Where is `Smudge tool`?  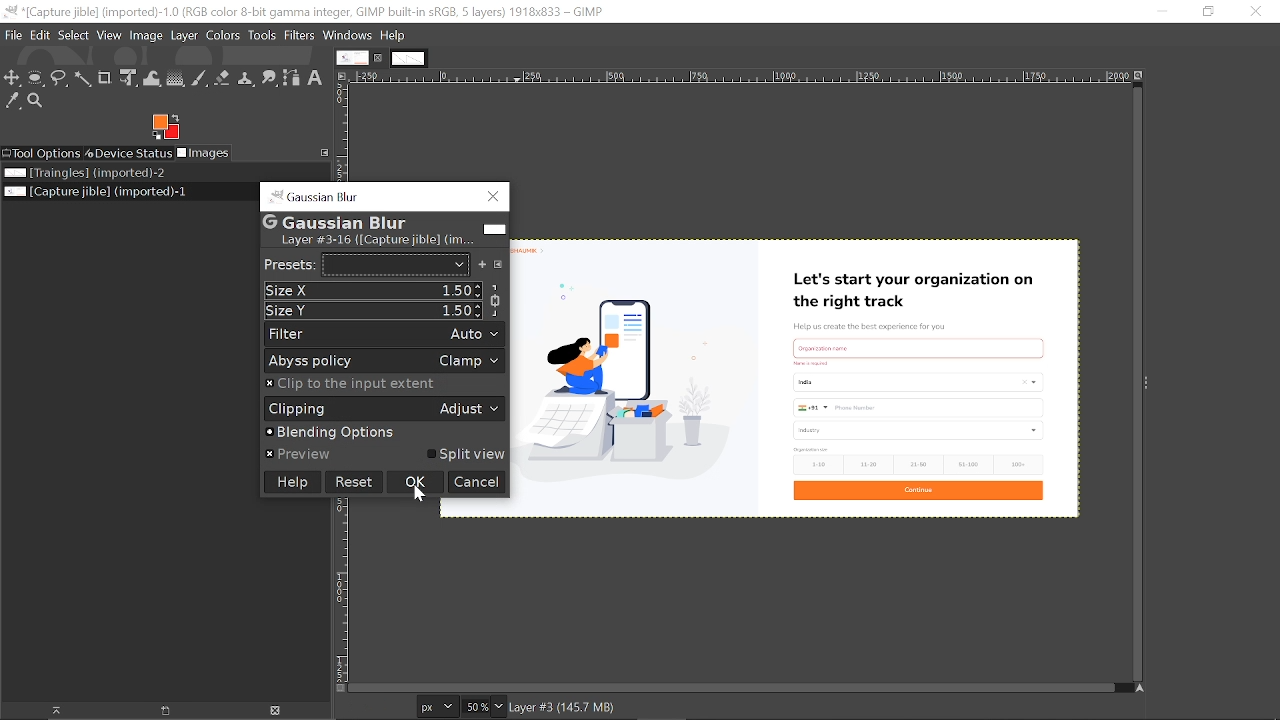 Smudge tool is located at coordinates (270, 77).